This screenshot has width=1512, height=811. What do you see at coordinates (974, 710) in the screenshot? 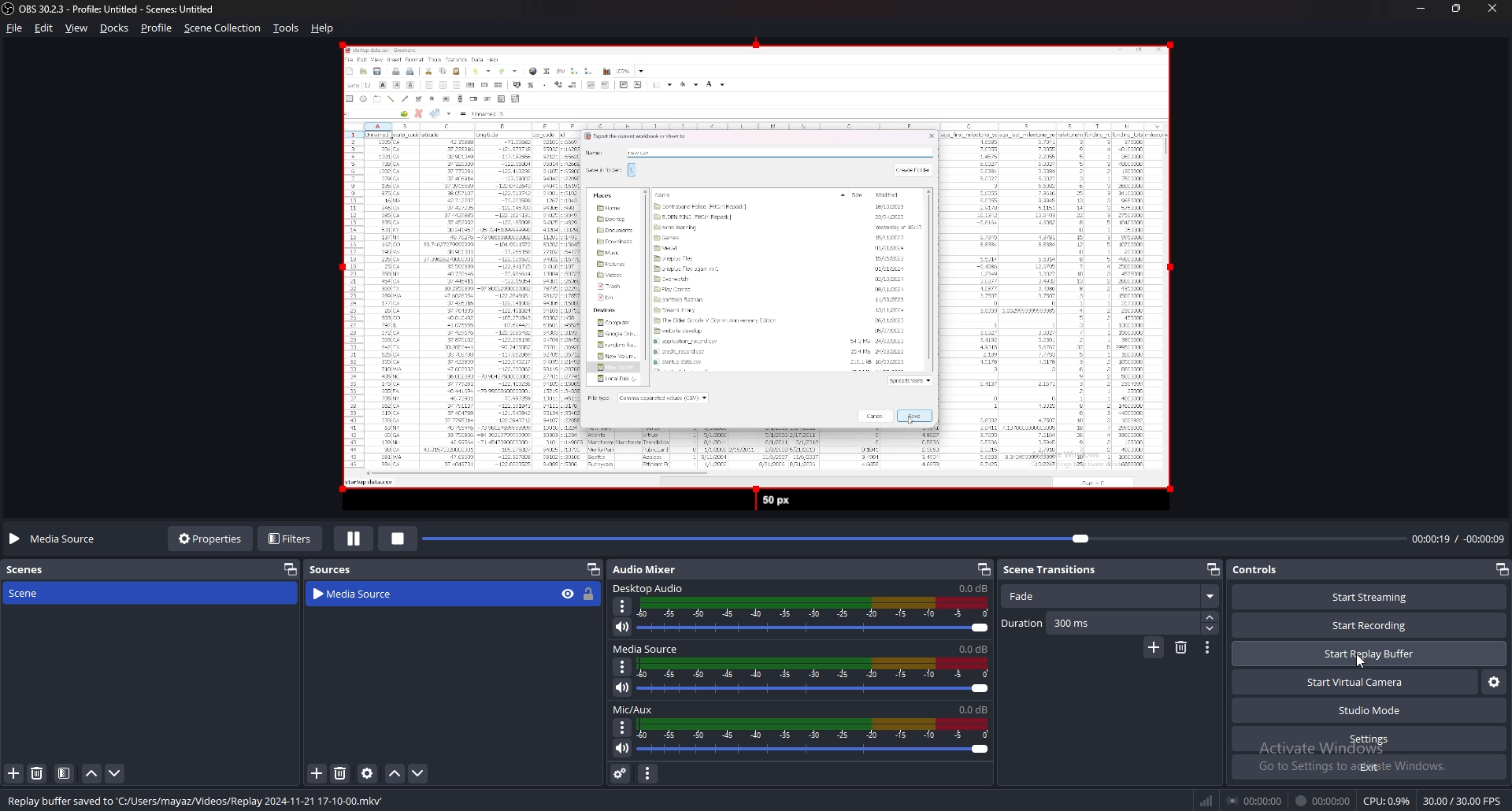
I see `0.0db` at bounding box center [974, 710].